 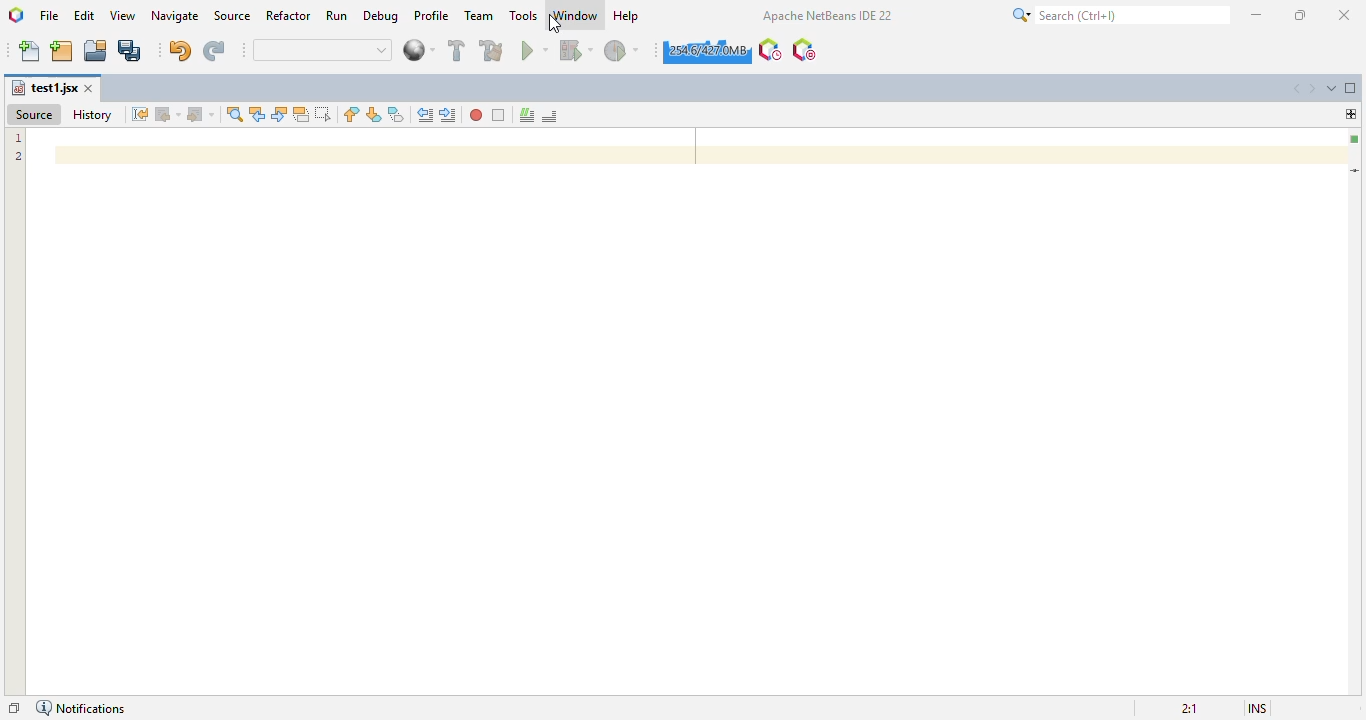 What do you see at coordinates (431, 16) in the screenshot?
I see `profile` at bounding box center [431, 16].